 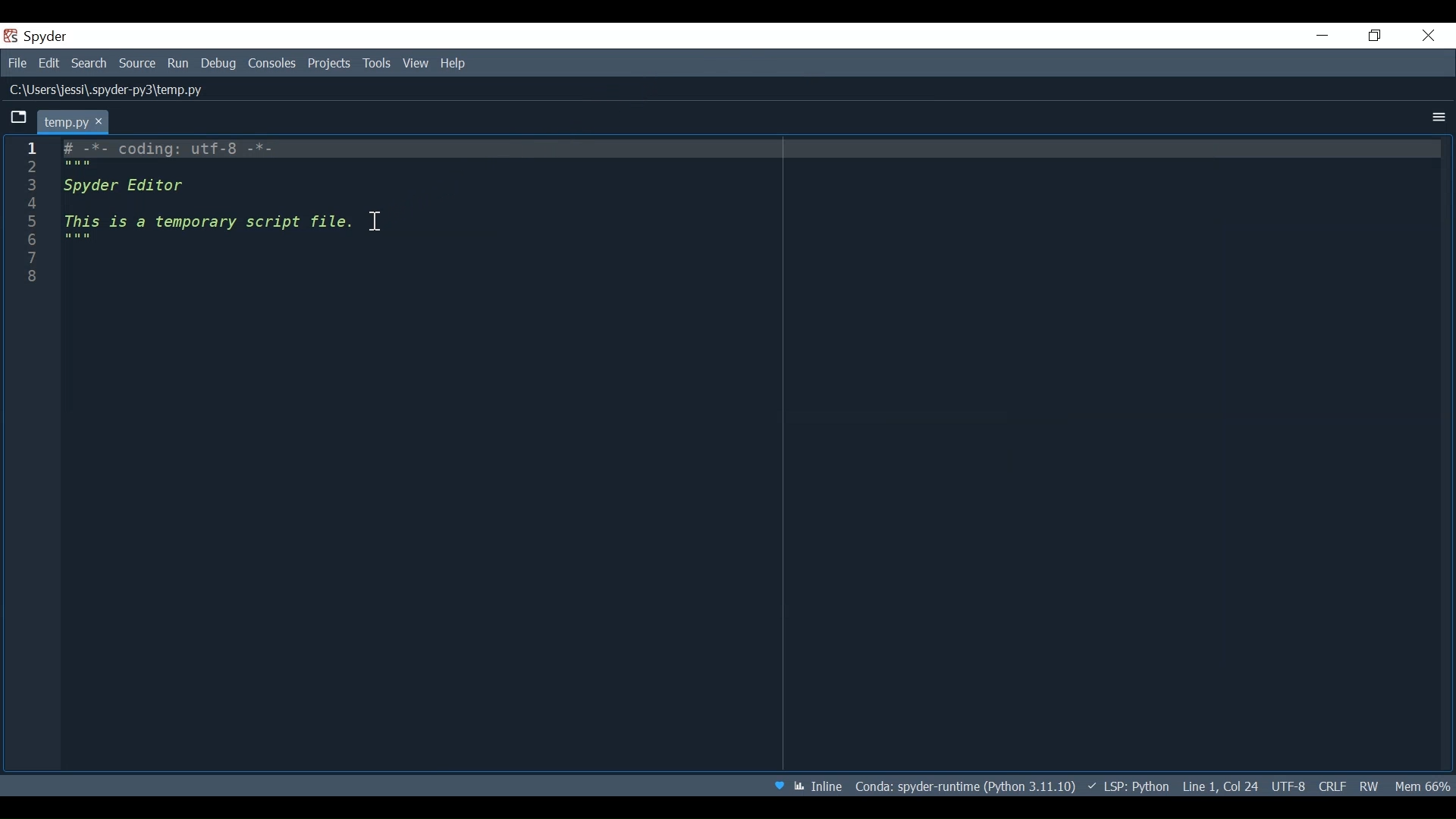 What do you see at coordinates (453, 65) in the screenshot?
I see `Help` at bounding box center [453, 65].